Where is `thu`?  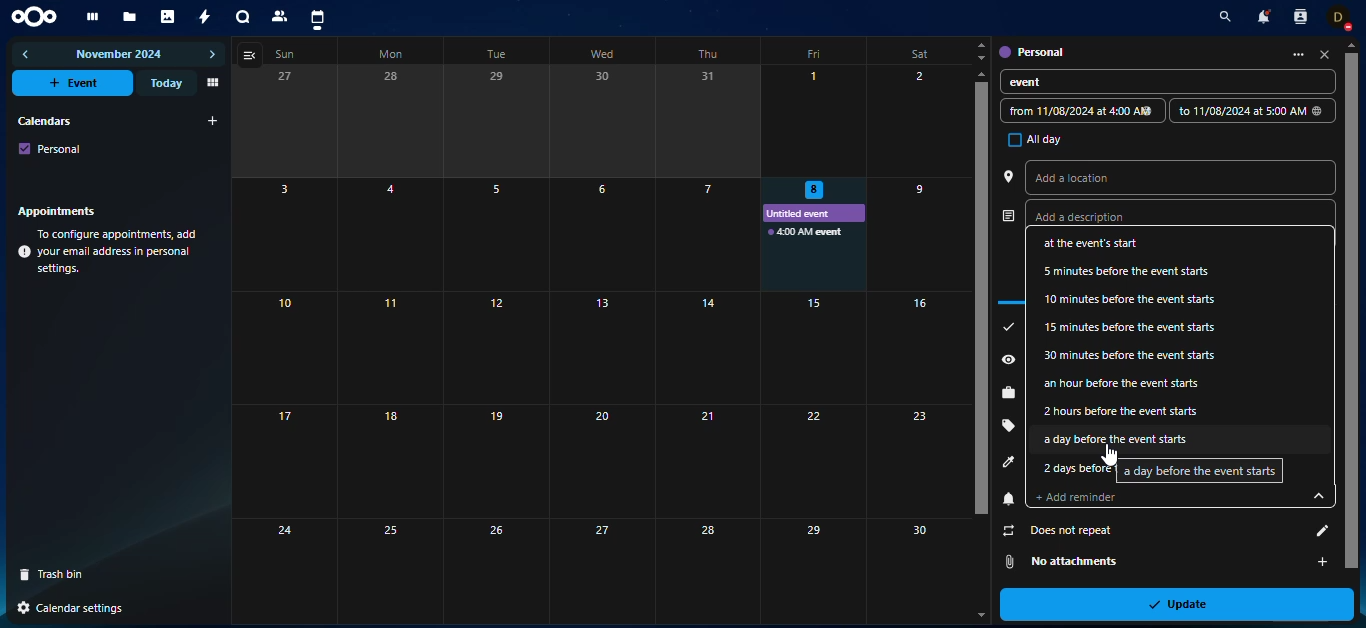 thu is located at coordinates (706, 54).